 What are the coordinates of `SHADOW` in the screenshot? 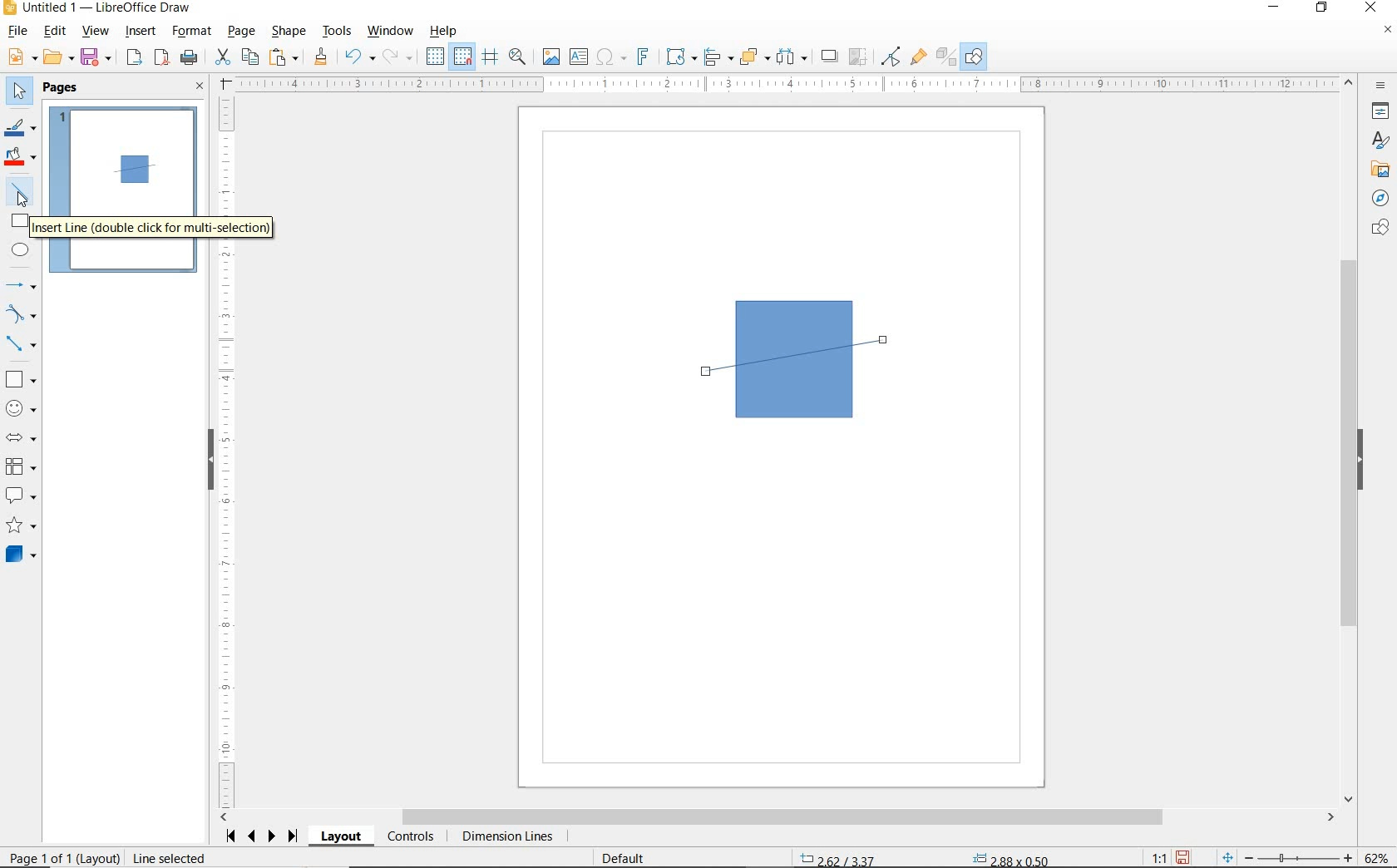 It's located at (830, 57).